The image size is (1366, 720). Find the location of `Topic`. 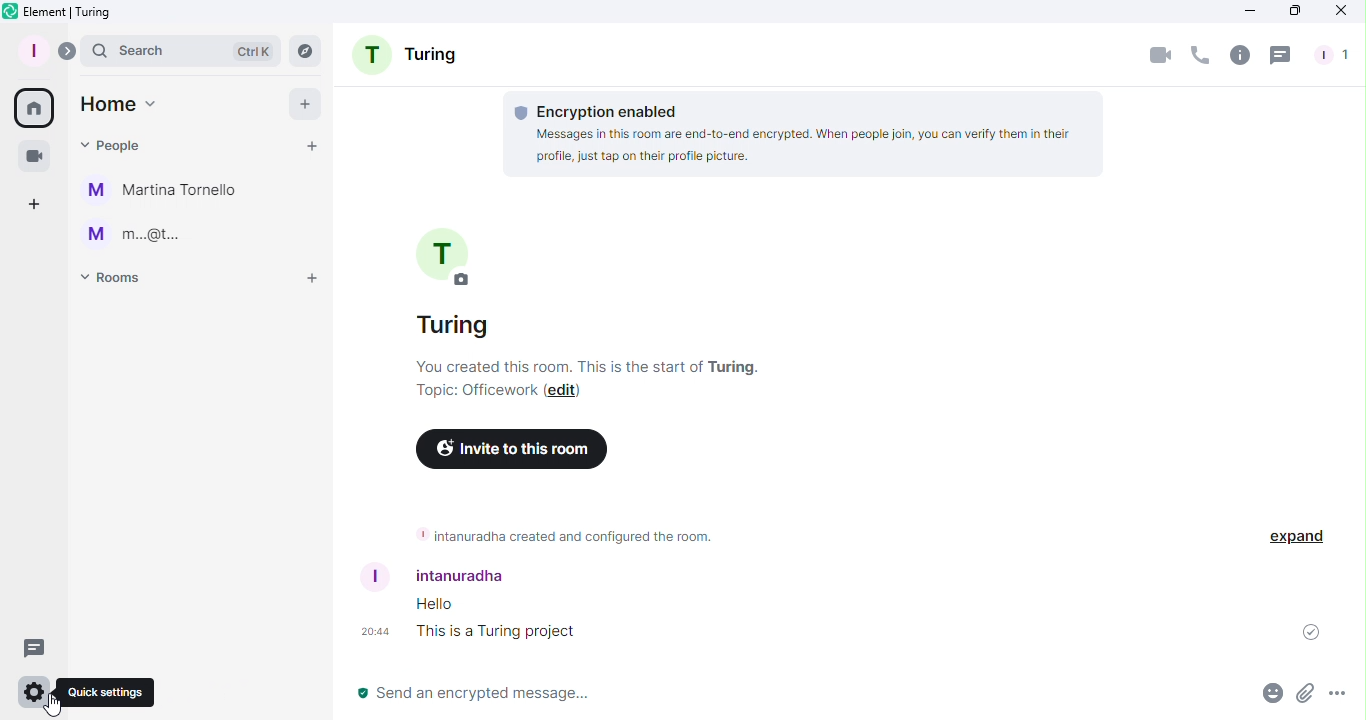

Topic is located at coordinates (476, 393).